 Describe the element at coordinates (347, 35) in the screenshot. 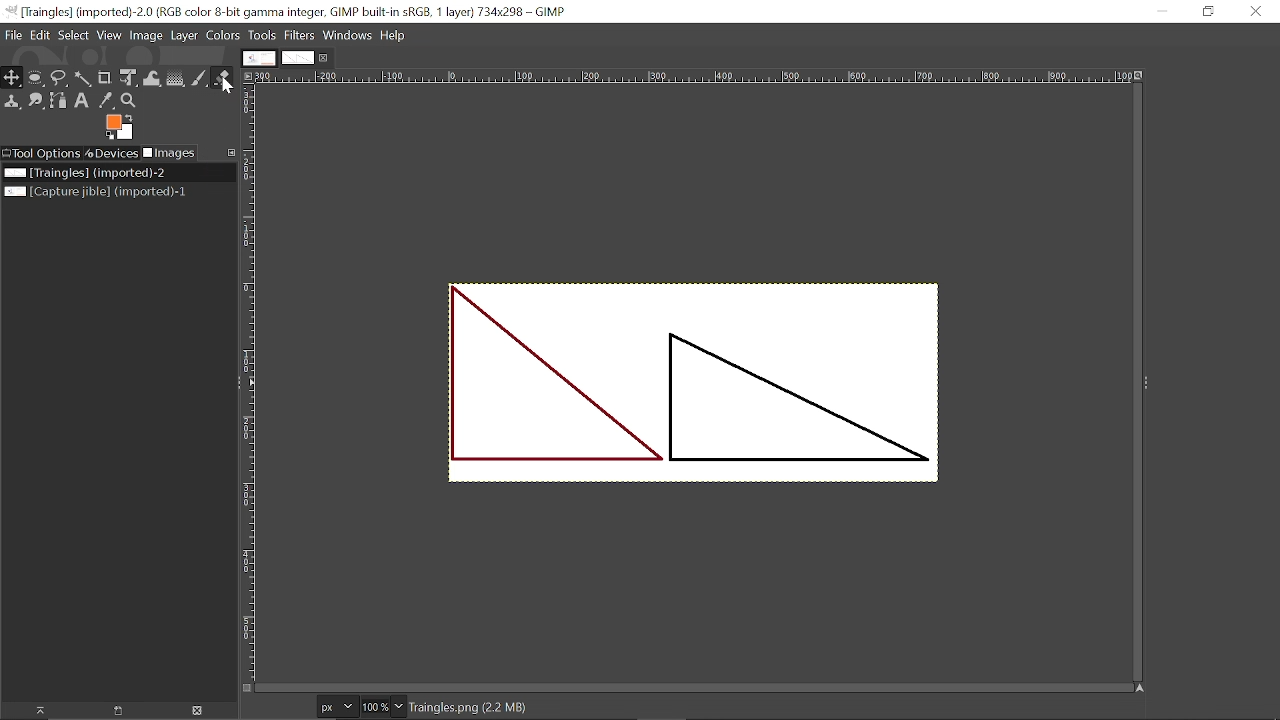

I see `Windows` at that location.